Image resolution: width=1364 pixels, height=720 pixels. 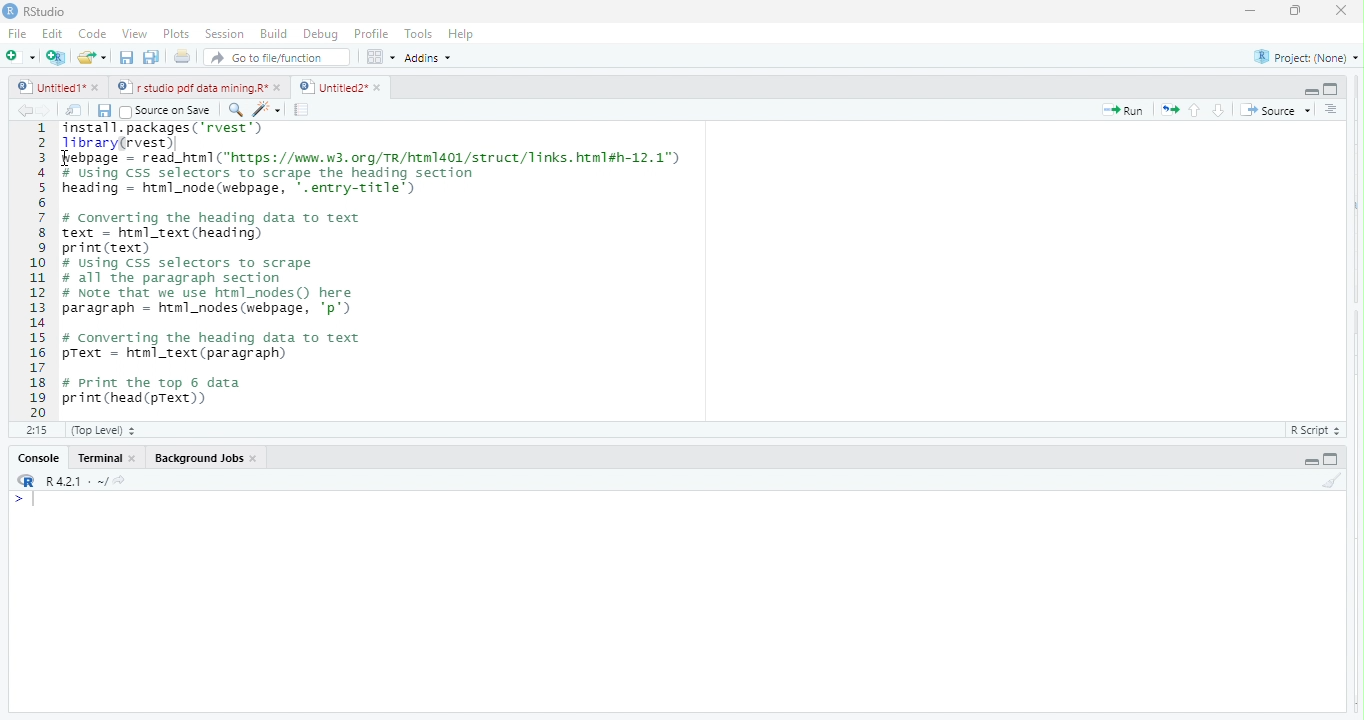 What do you see at coordinates (274, 34) in the screenshot?
I see `Build` at bounding box center [274, 34].